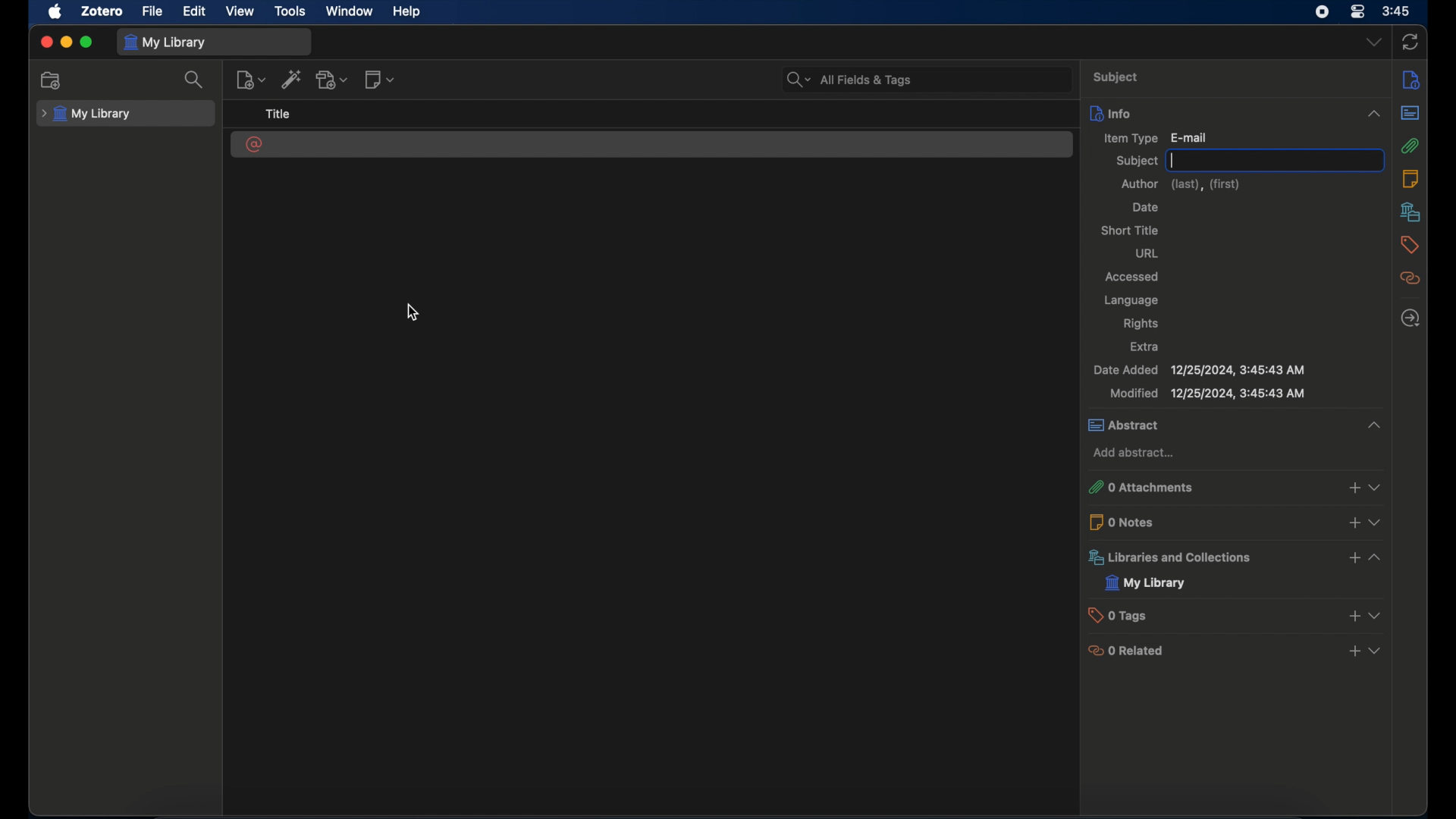  What do you see at coordinates (1237, 650) in the screenshot?
I see `0 related` at bounding box center [1237, 650].